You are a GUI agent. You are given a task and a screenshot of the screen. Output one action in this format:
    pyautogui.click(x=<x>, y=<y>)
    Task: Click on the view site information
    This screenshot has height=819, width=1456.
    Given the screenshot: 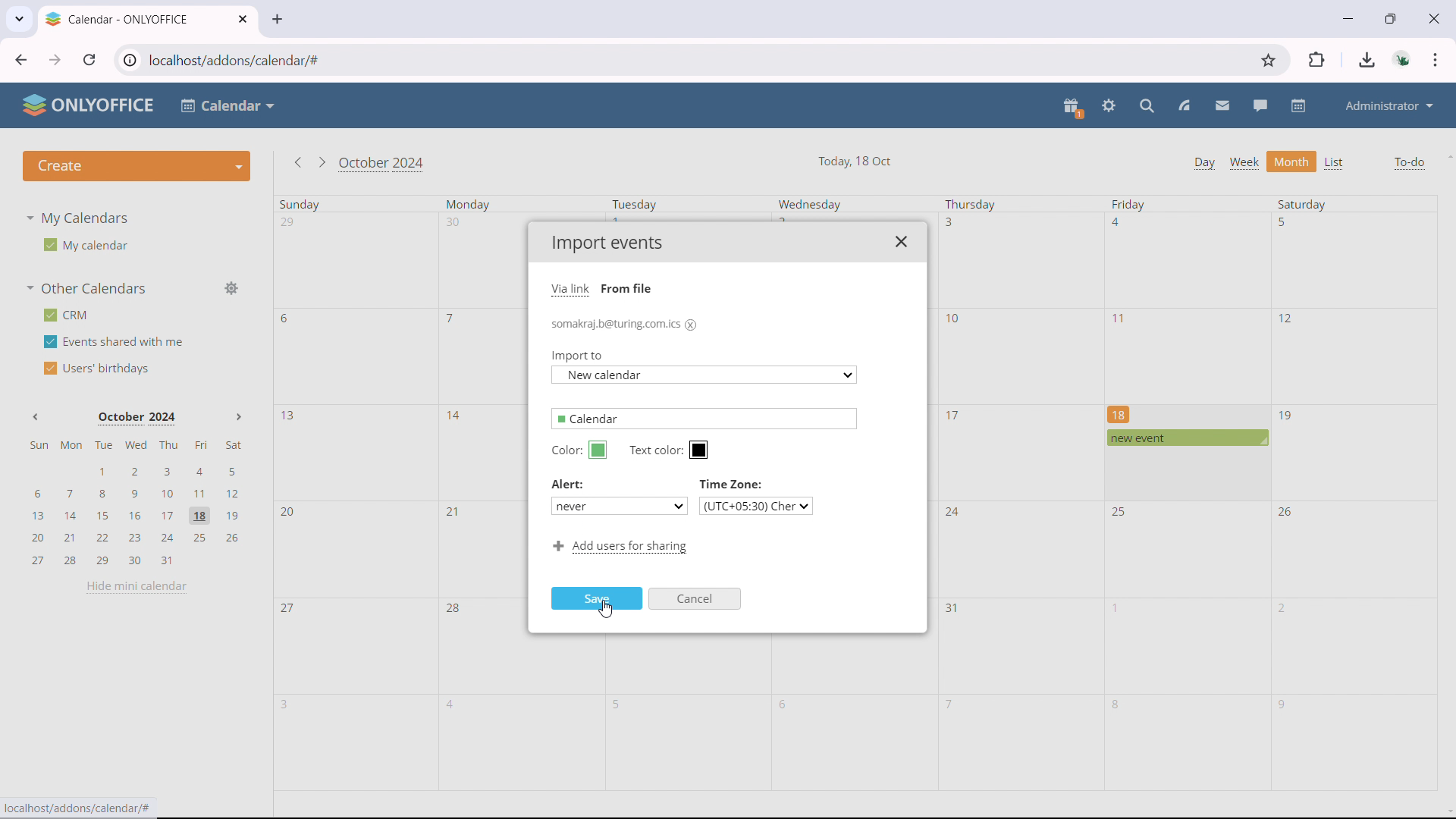 What is the action you would take?
    pyautogui.click(x=128, y=60)
    